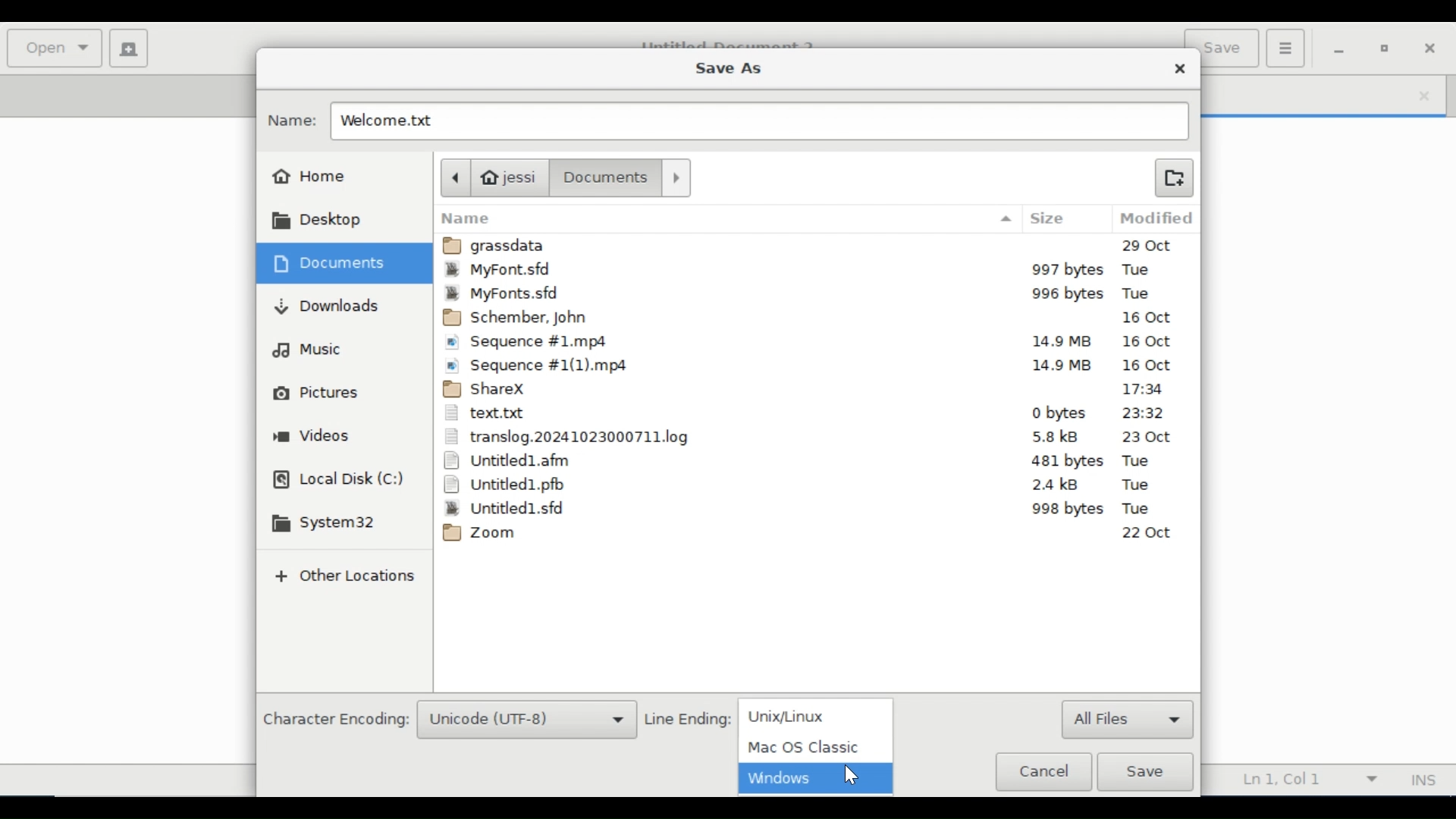 The height and width of the screenshot is (819, 1456). Describe the element at coordinates (335, 717) in the screenshot. I see `Character Encoding` at that location.